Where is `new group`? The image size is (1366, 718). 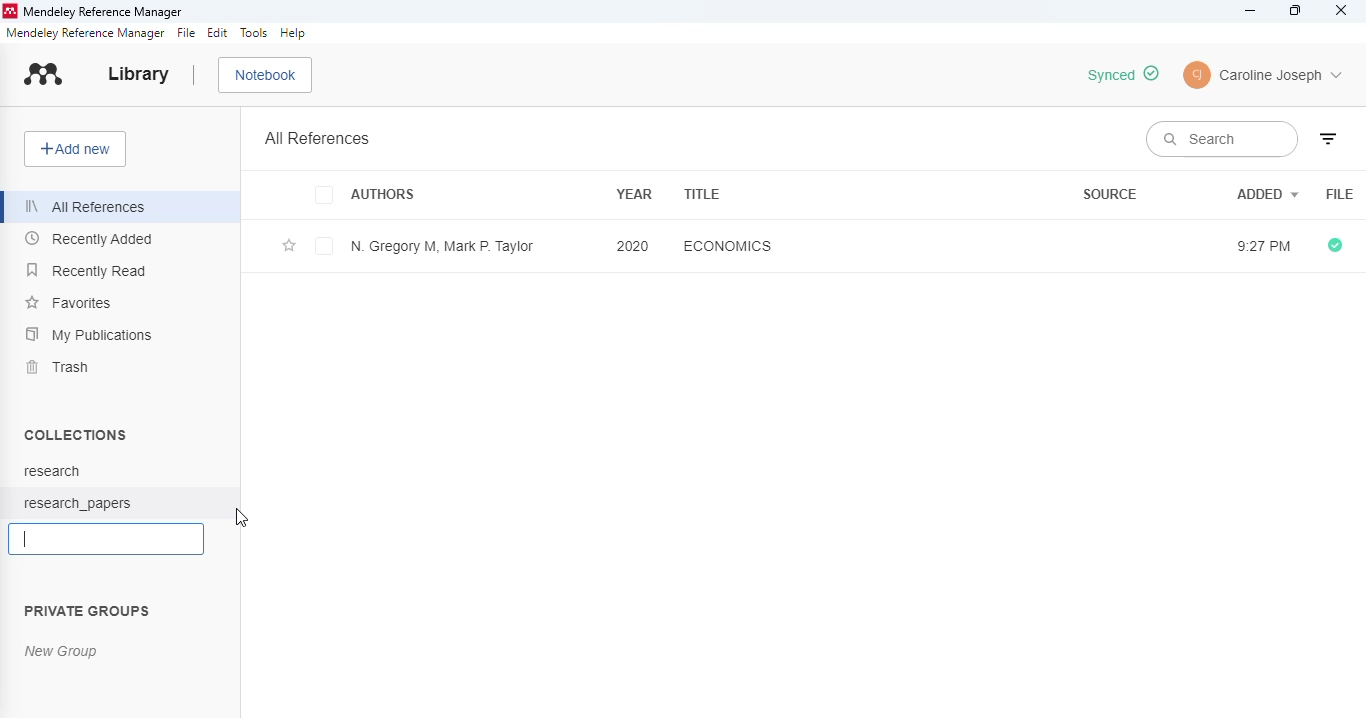
new group is located at coordinates (61, 651).